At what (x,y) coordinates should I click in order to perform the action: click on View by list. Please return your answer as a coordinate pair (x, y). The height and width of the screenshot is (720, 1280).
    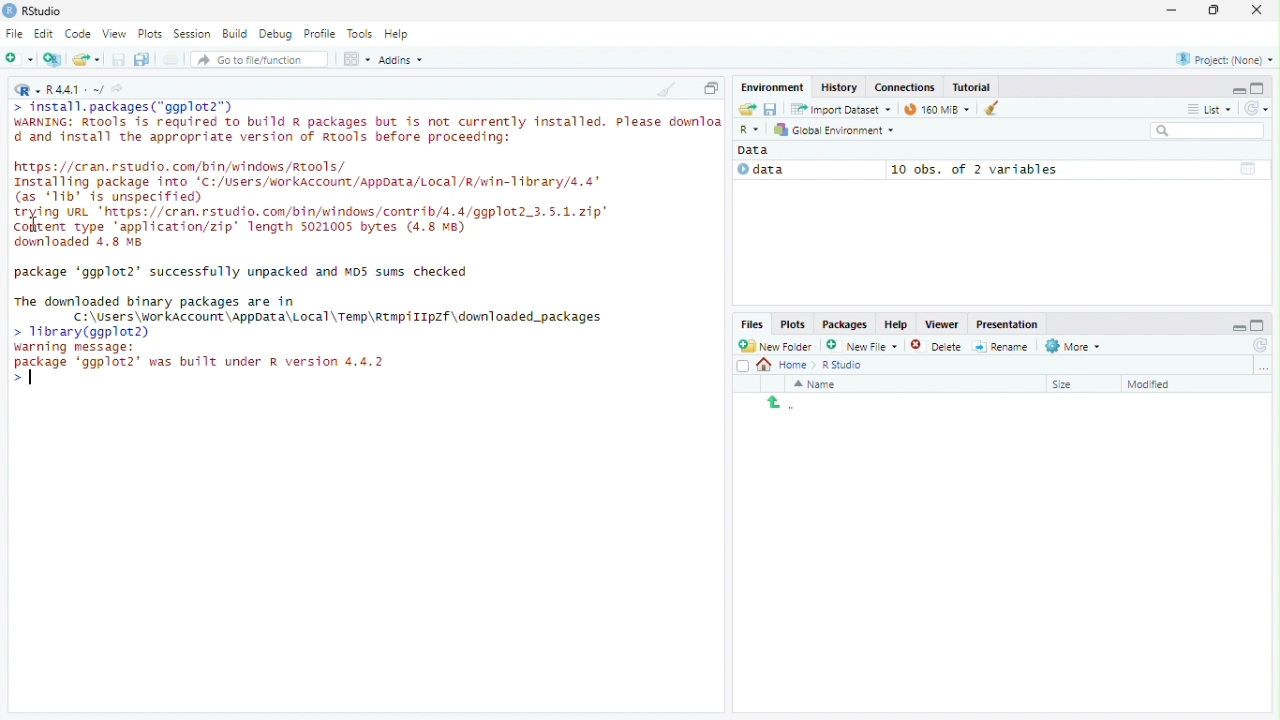
    Looking at the image, I should click on (1210, 109).